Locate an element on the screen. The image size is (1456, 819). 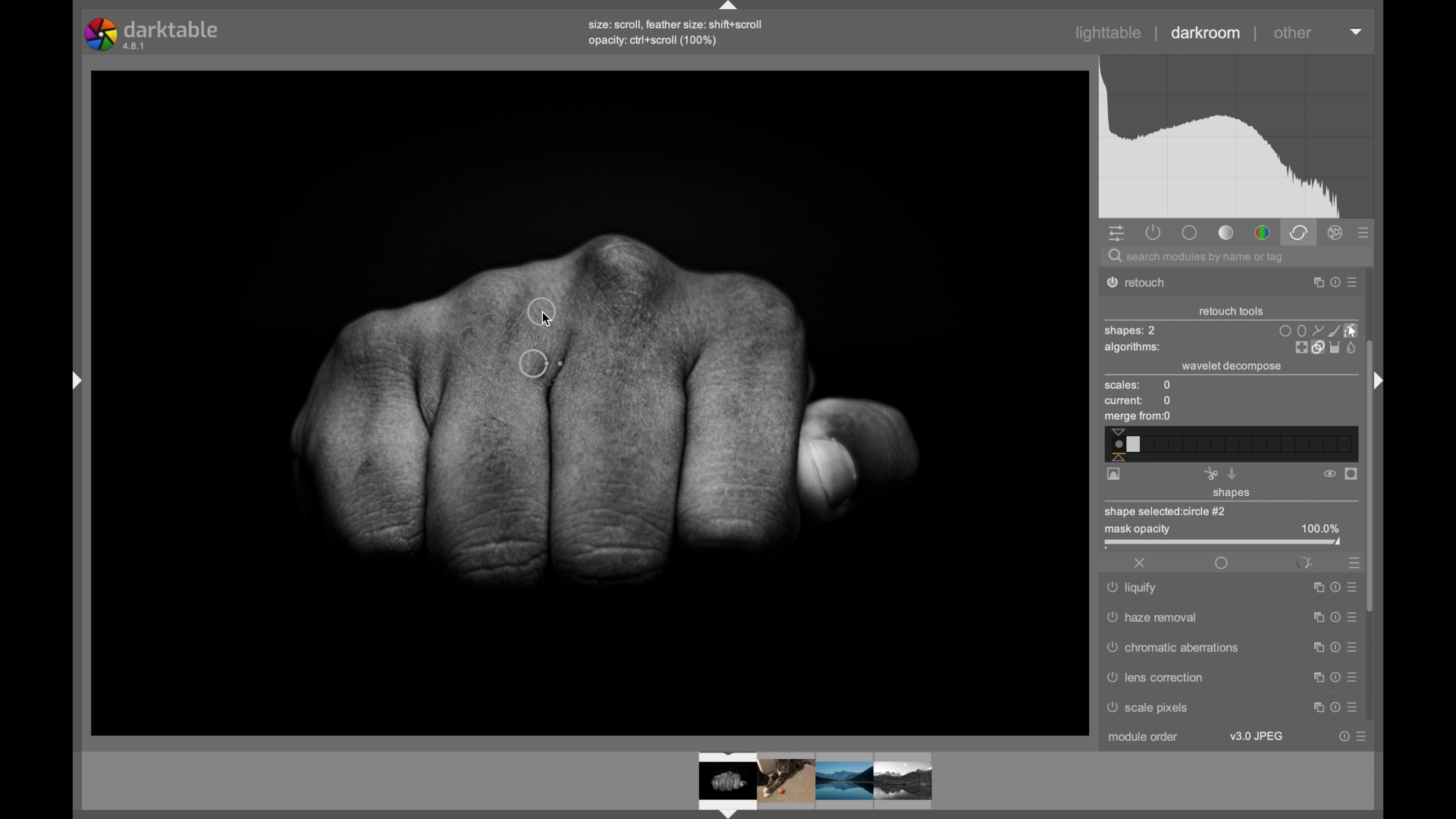
maximize is located at coordinates (1313, 588).